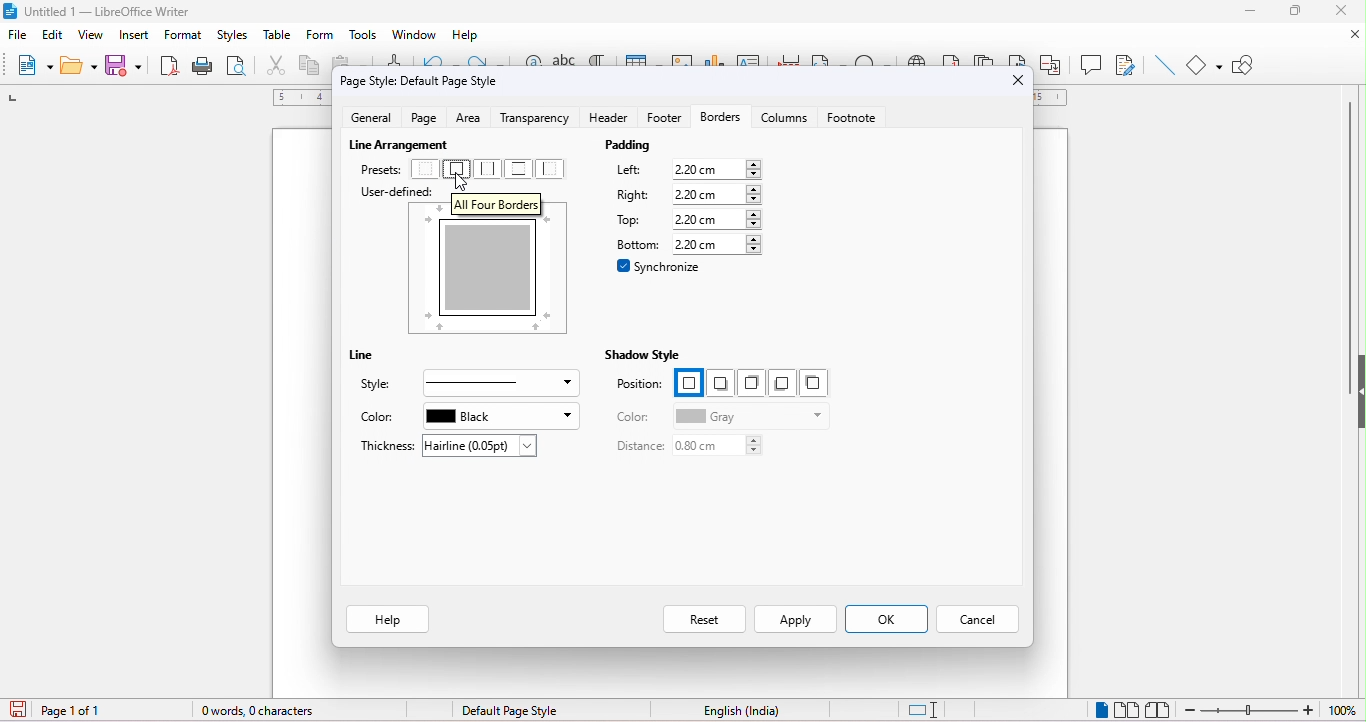  I want to click on new, so click(34, 68).